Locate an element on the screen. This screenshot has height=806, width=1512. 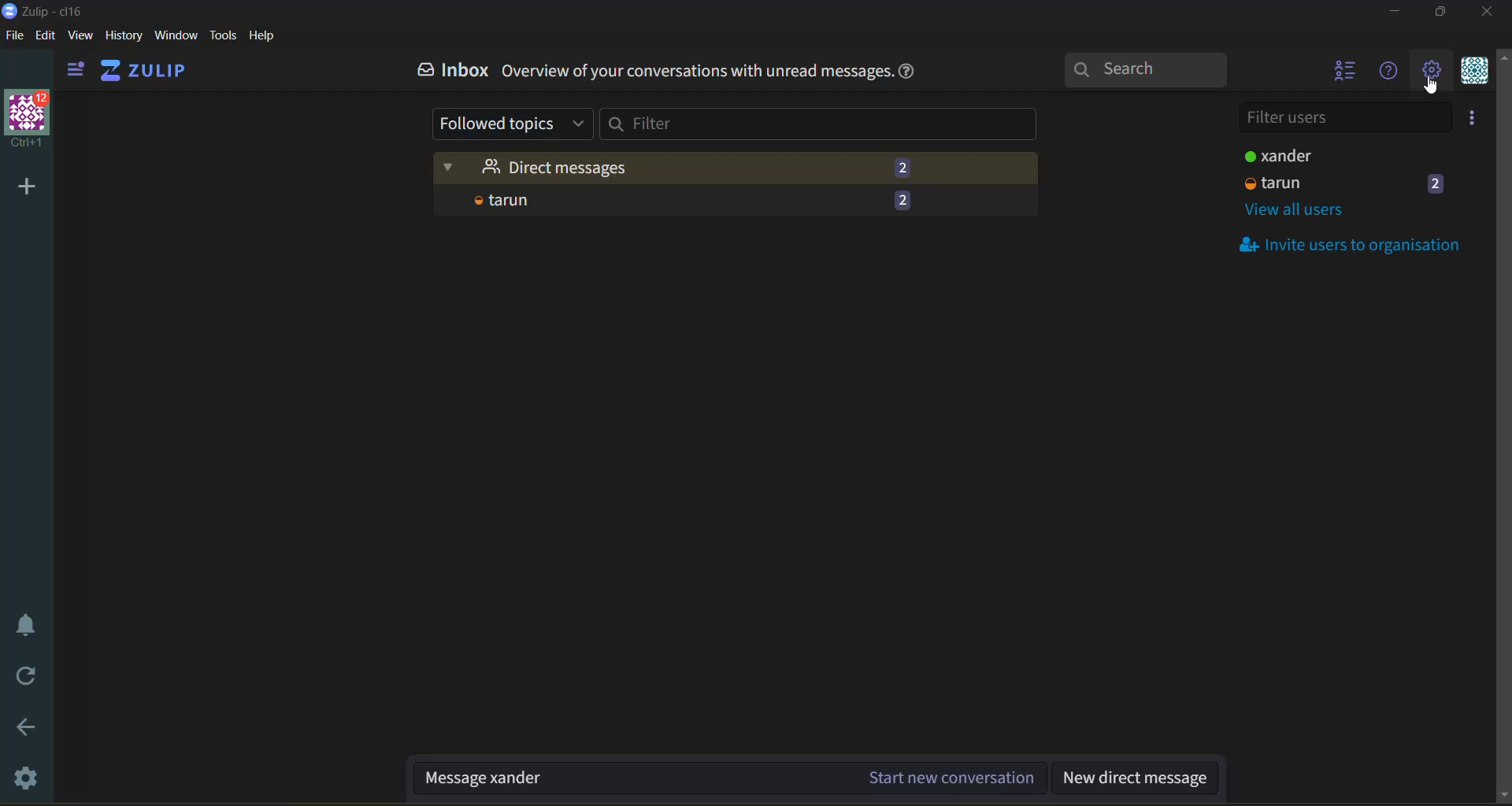
view is located at coordinates (80, 38).